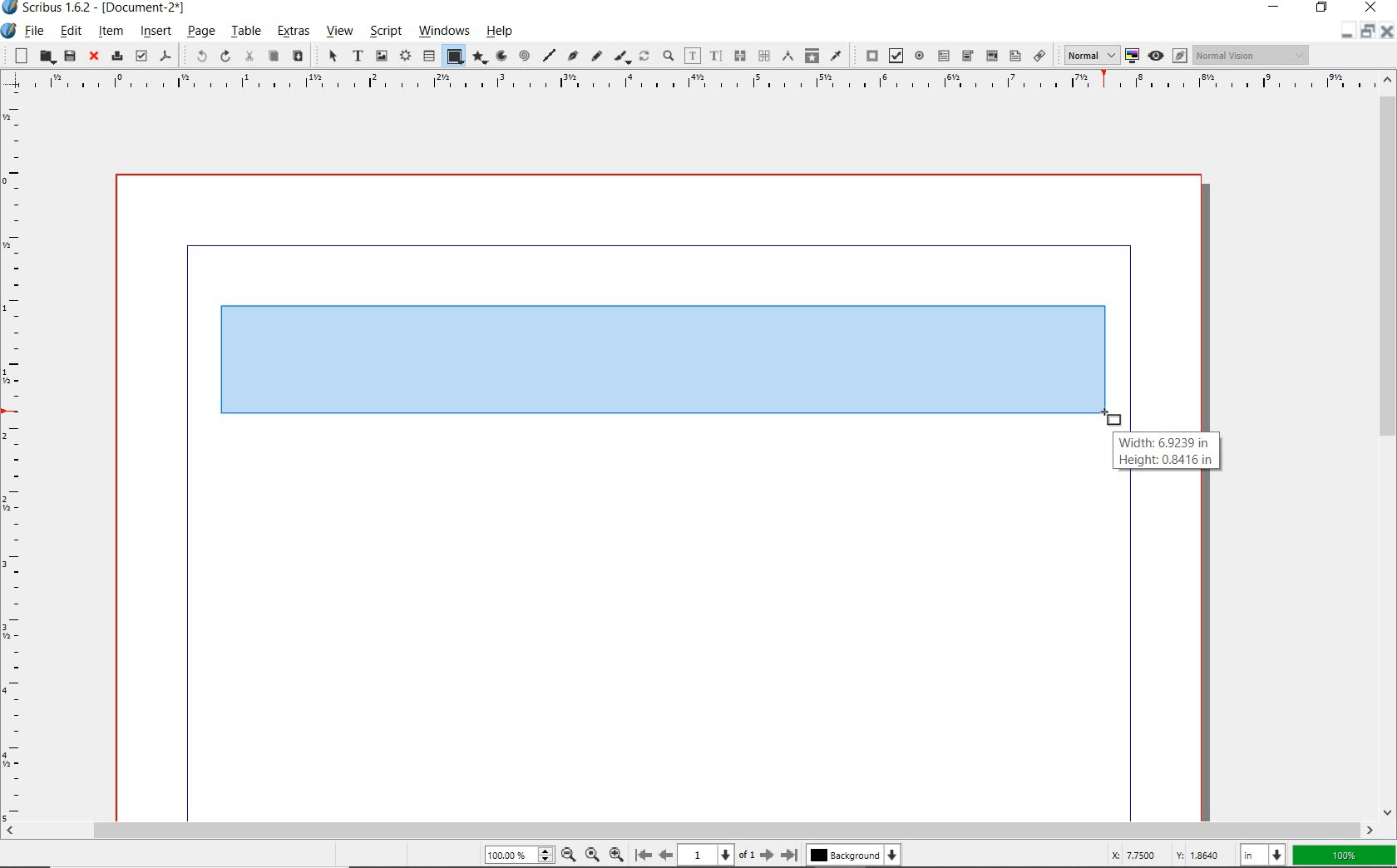 The image size is (1397, 868). Describe the element at coordinates (454, 57) in the screenshot. I see `shape` at that location.